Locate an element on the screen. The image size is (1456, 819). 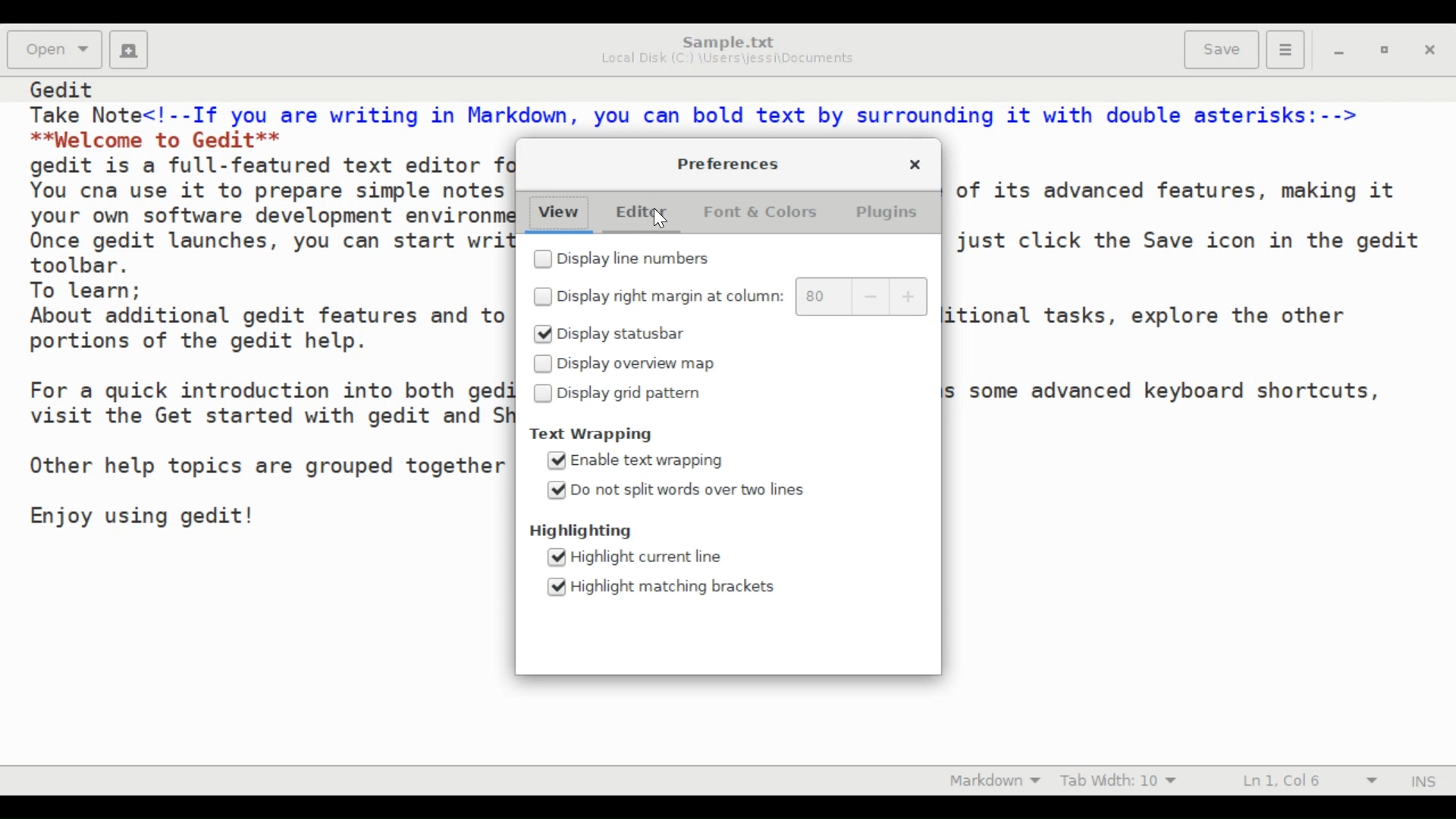
(un)select Highlight matching brackets is located at coordinates (664, 586).